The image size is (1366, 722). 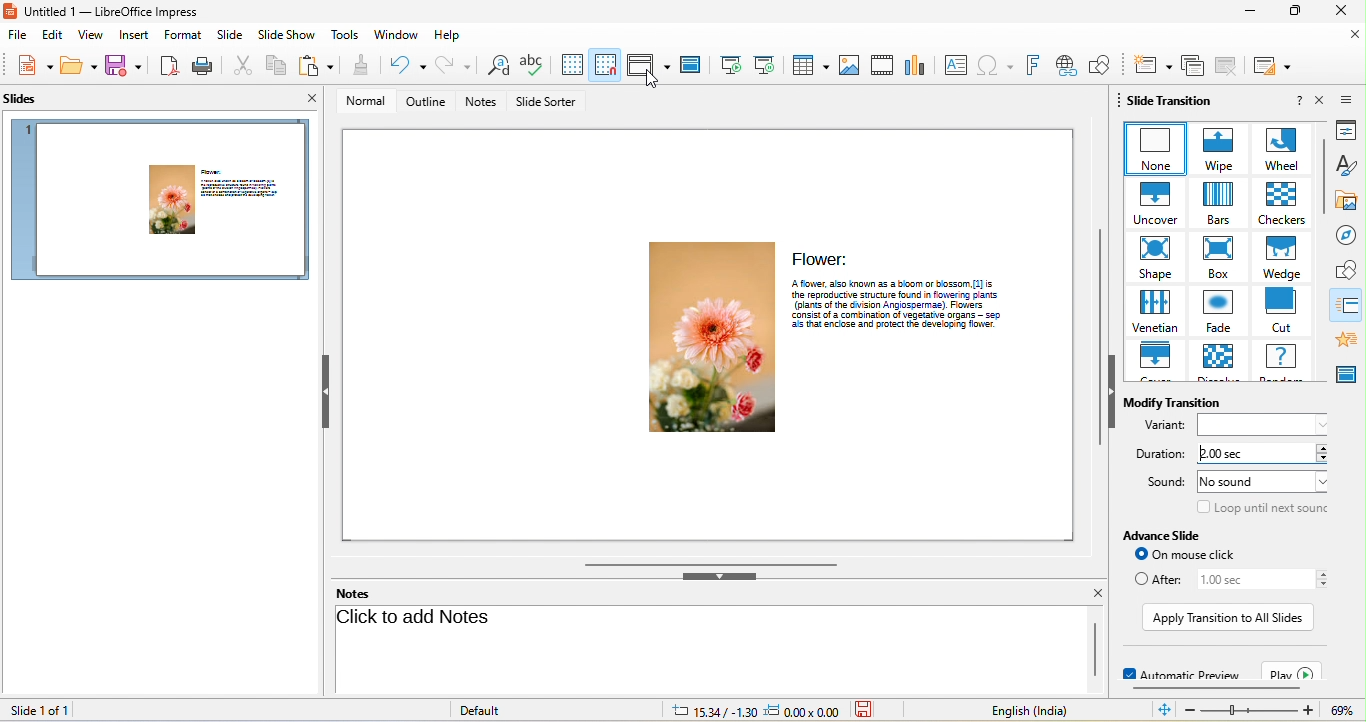 What do you see at coordinates (1162, 480) in the screenshot?
I see `sound` at bounding box center [1162, 480].